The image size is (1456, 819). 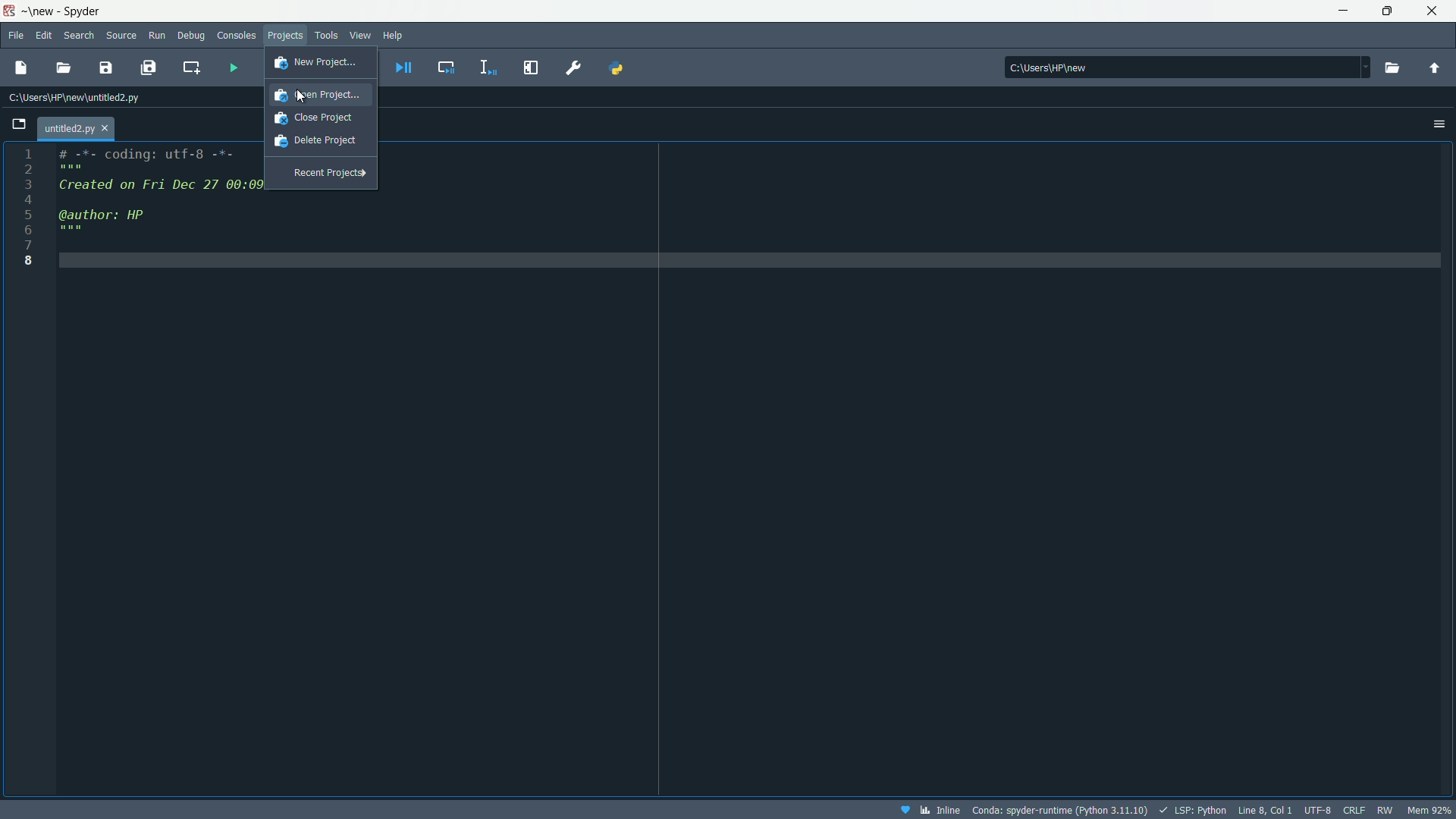 I want to click on interpreter, so click(x=1062, y=809).